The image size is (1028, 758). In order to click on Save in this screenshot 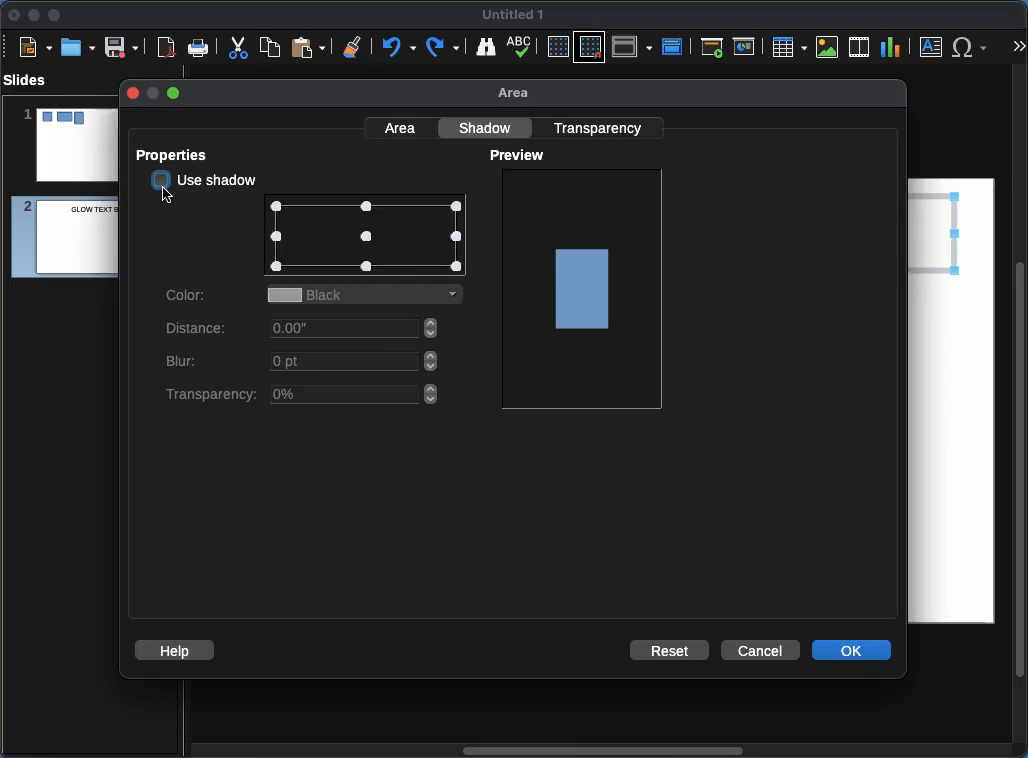, I will do `click(123, 46)`.